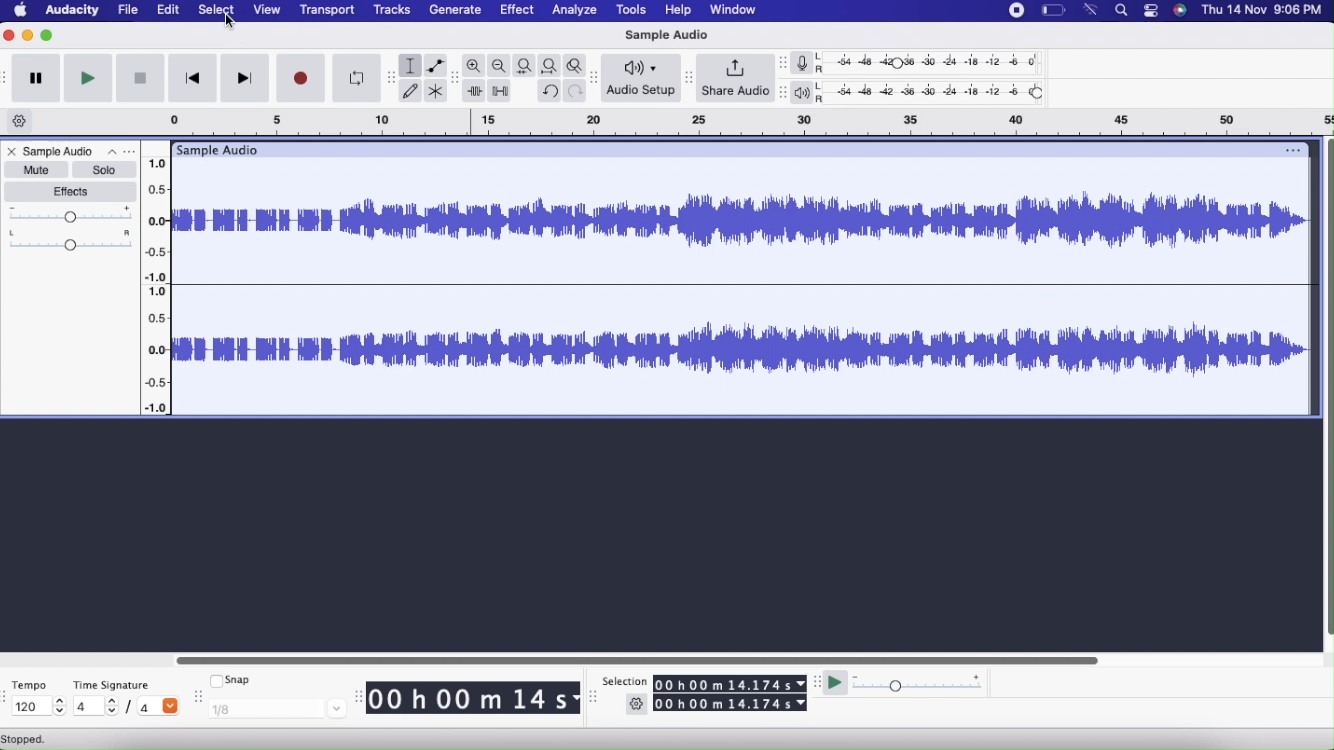 This screenshot has height=750, width=1334. What do you see at coordinates (69, 216) in the screenshot?
I see `Gain Slider` at bounding box center [69, 216].